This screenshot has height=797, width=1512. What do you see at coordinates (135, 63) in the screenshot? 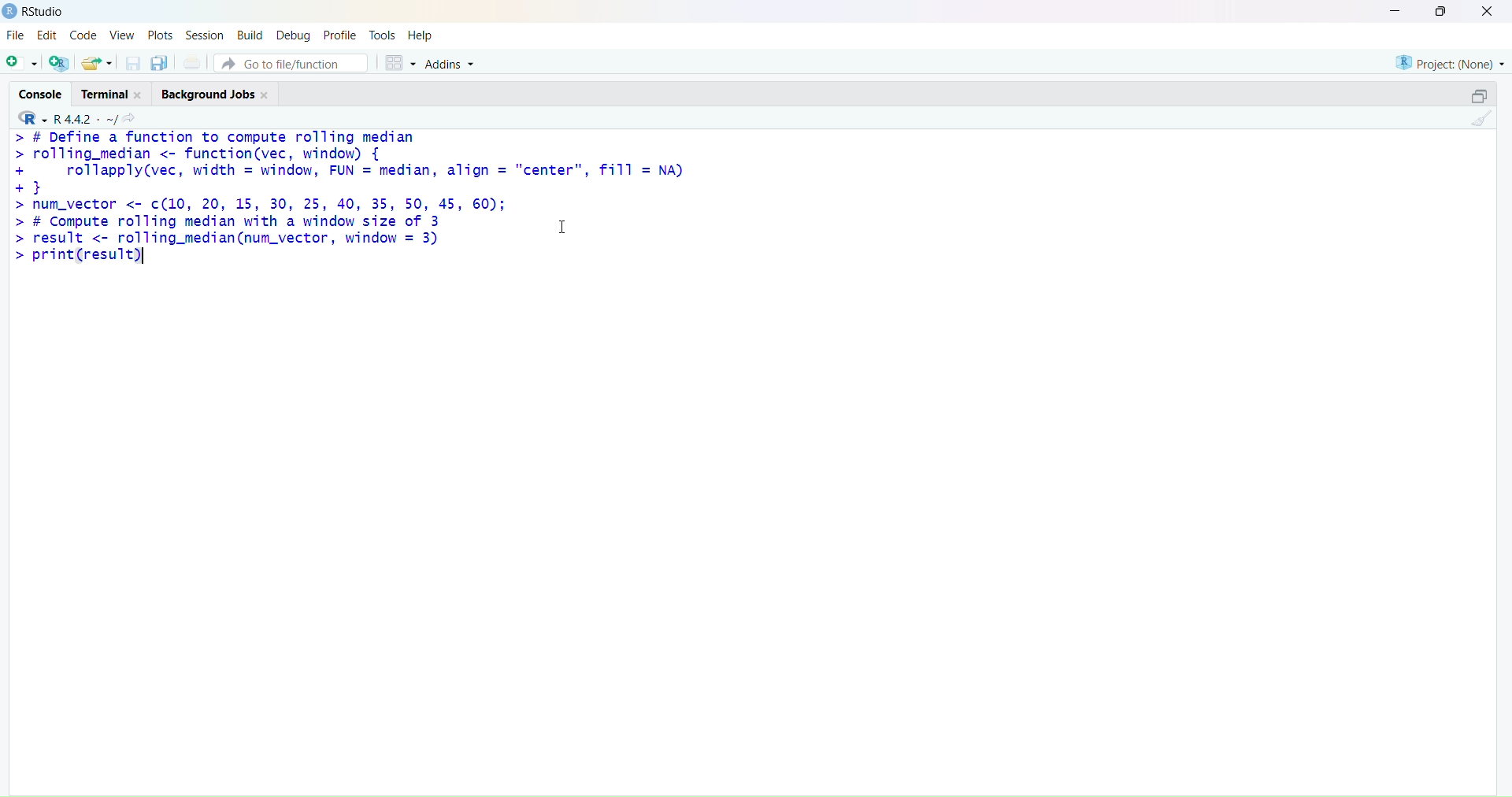
I see `save` at bounding box center [135, 63].